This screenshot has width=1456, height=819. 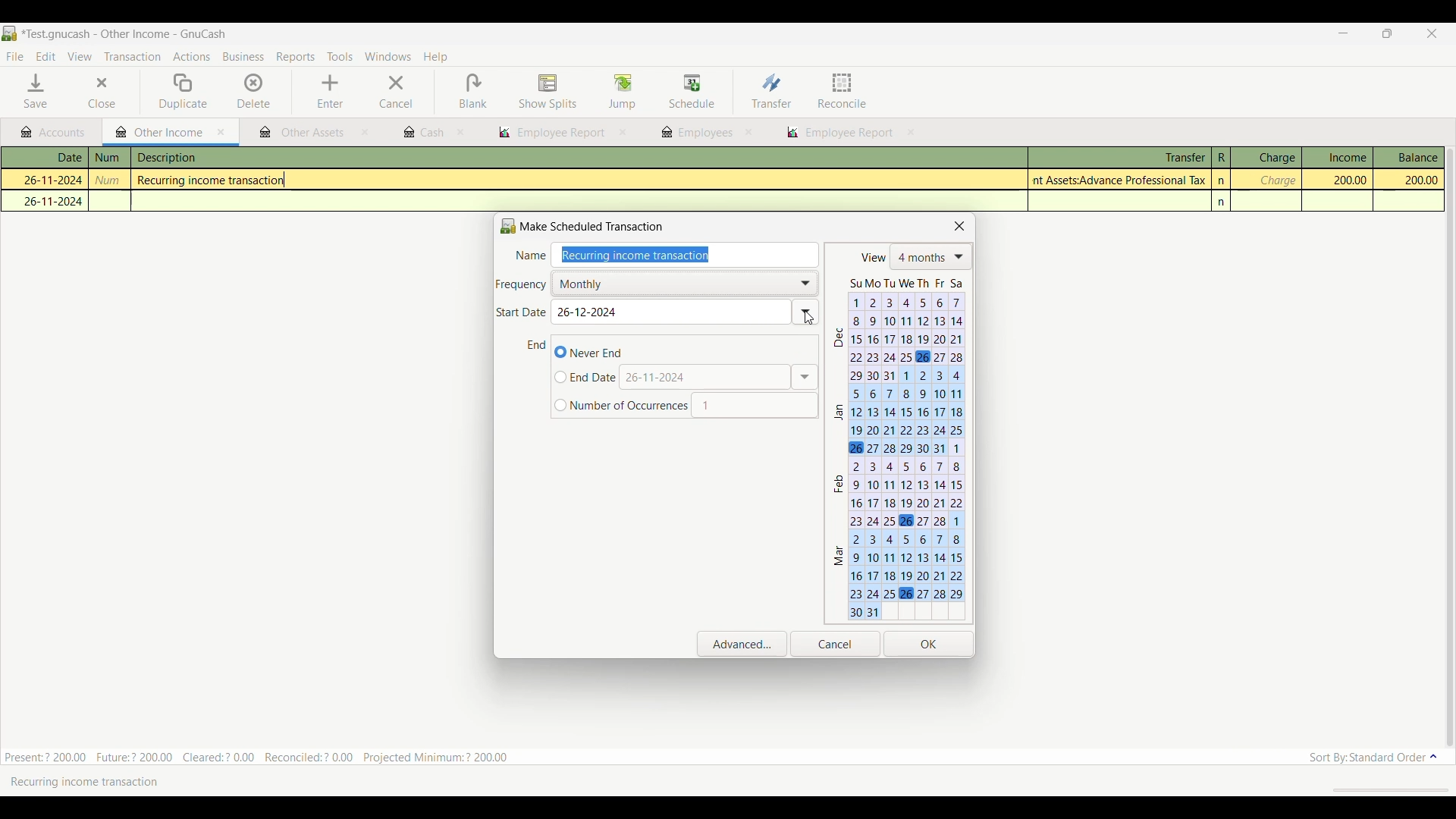 What do you see at coordinates (848, 134) in the screenshot?
I see `employee report` at bounding box center [848, 134].